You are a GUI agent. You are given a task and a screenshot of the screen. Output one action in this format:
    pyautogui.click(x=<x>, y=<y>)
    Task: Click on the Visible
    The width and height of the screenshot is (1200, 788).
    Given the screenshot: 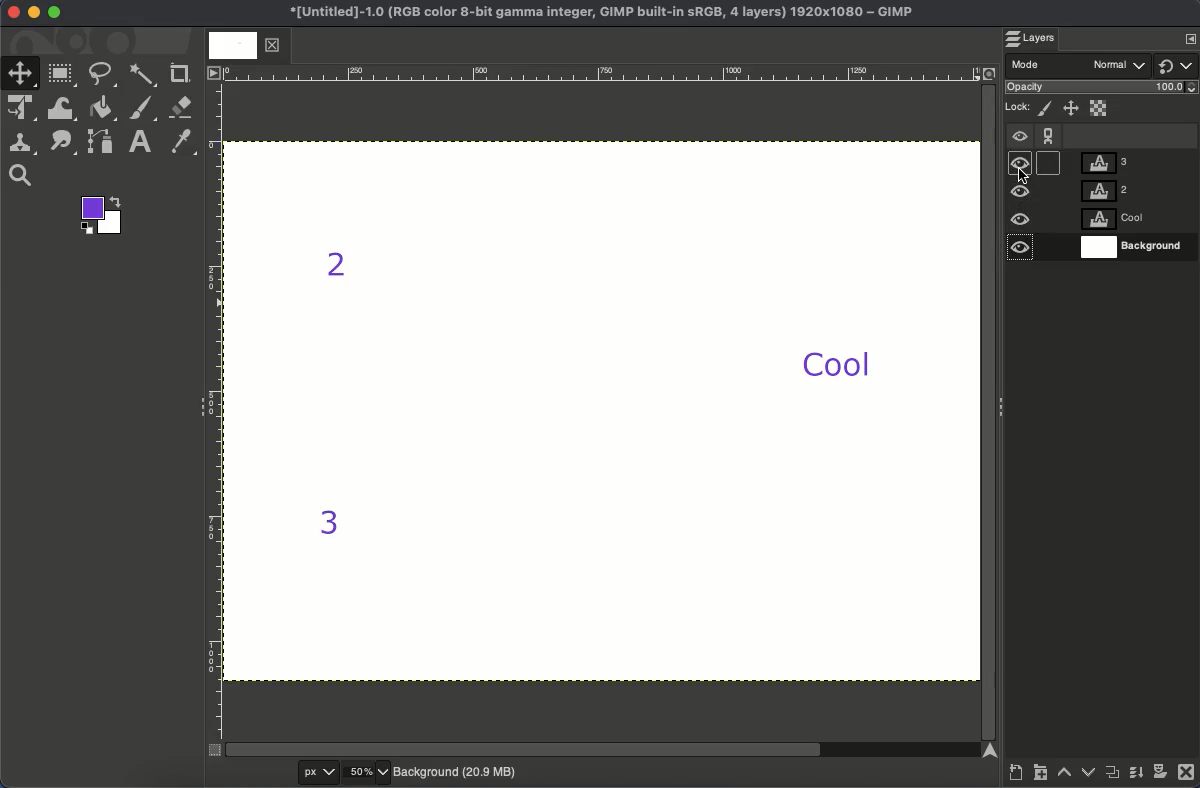 What is the action you would take?
    pyautogui.click(x=1021, y=220)
    